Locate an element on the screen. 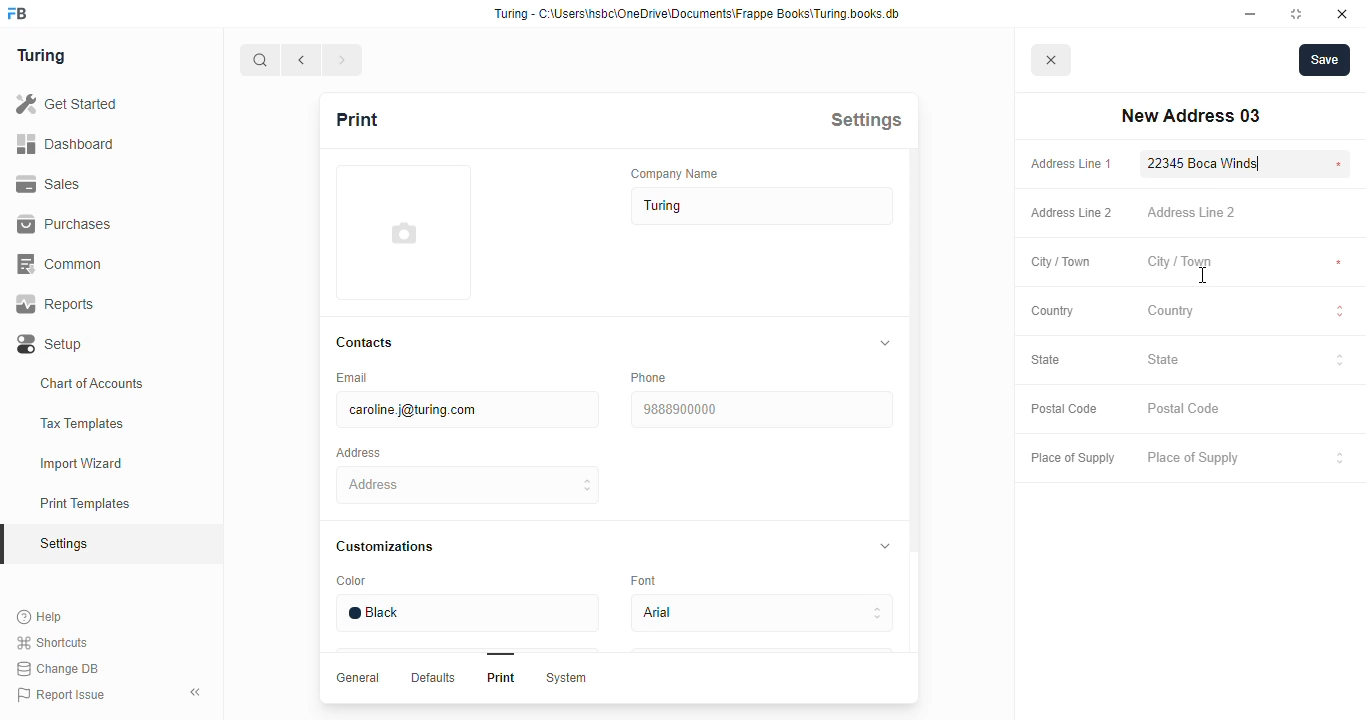 The width and height of the screenshot is (1366, 720). address is located at coordinates (358, 453).